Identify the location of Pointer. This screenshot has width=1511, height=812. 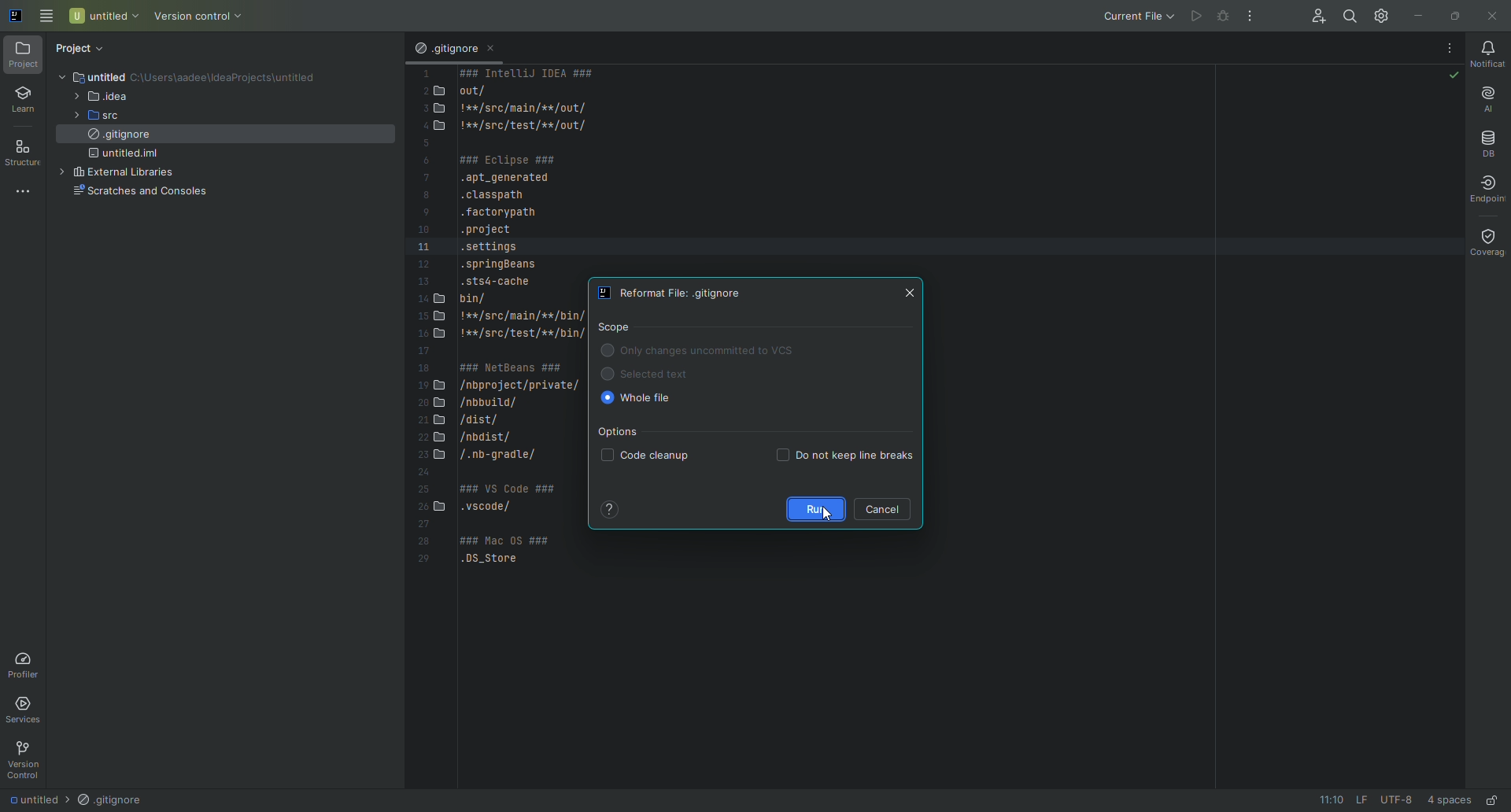
(824, 522).